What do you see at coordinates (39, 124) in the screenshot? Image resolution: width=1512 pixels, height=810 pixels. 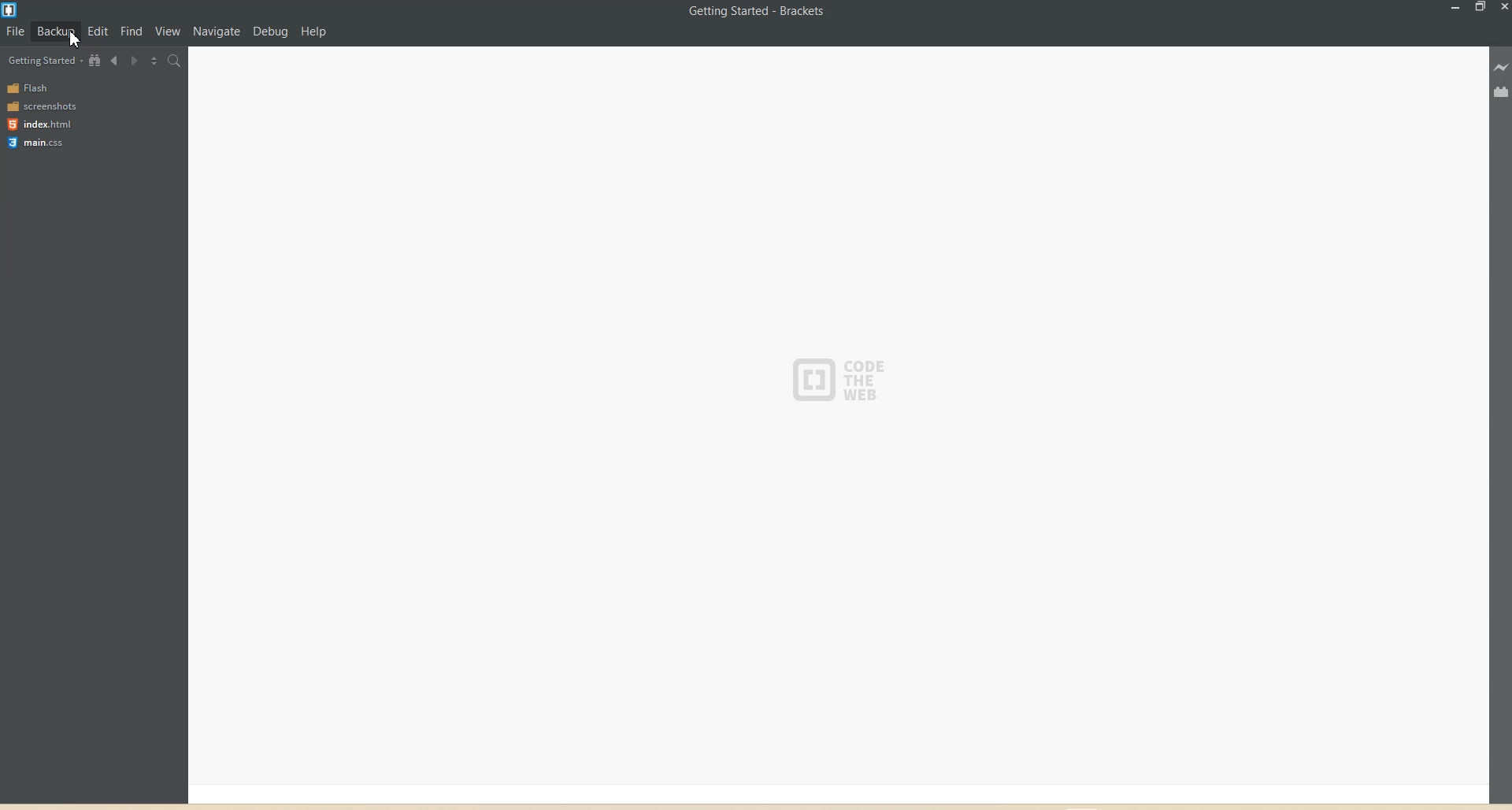 I see `index.html` at bounding box center [39, 124].